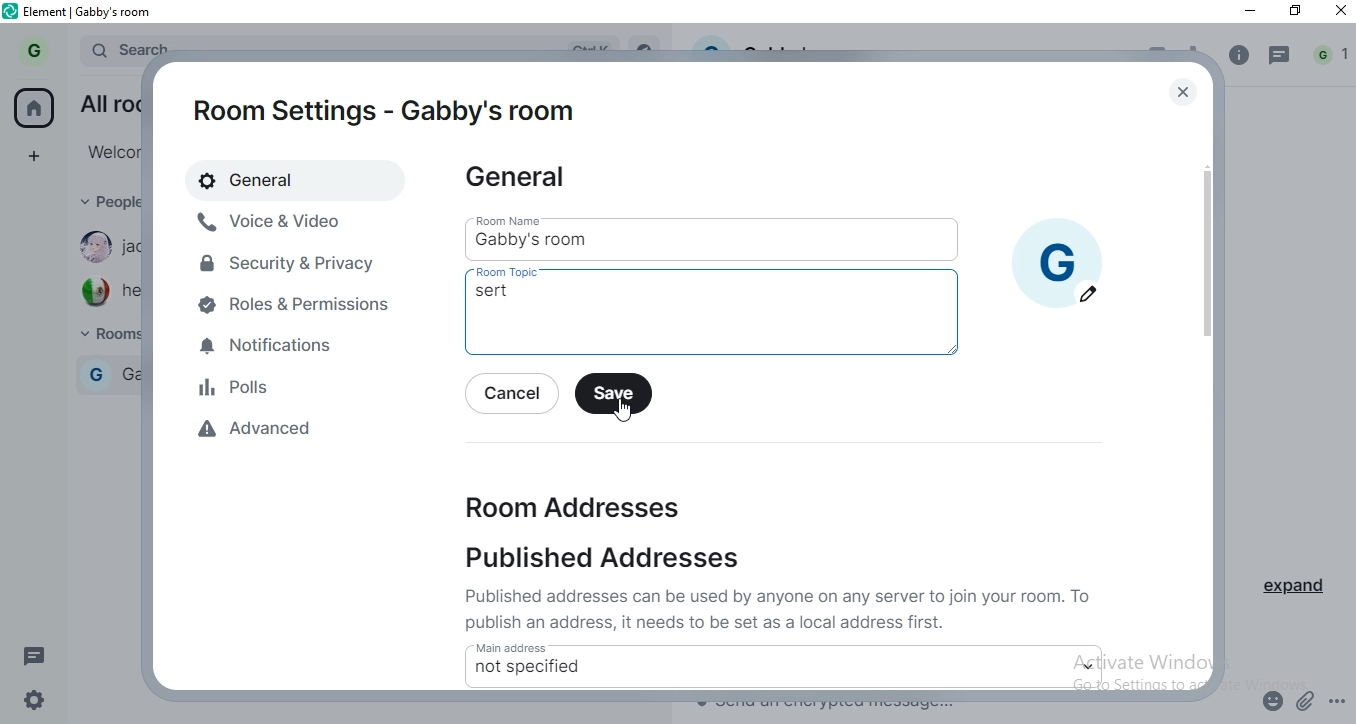  I want to click on rooms, so click(103, 336).